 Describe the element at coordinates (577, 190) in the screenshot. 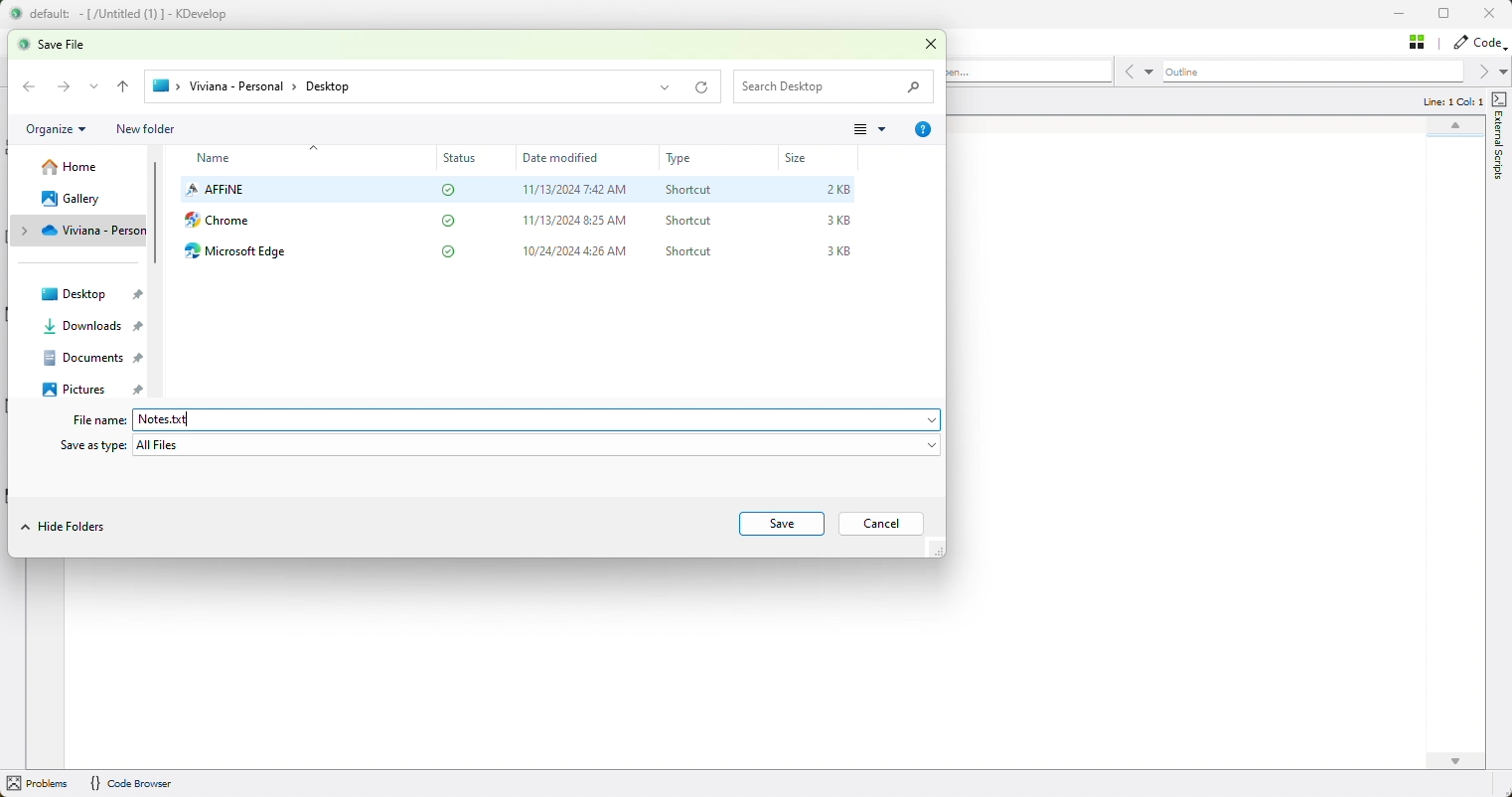

I see `11/13/2024 7:42 AM` at that location.